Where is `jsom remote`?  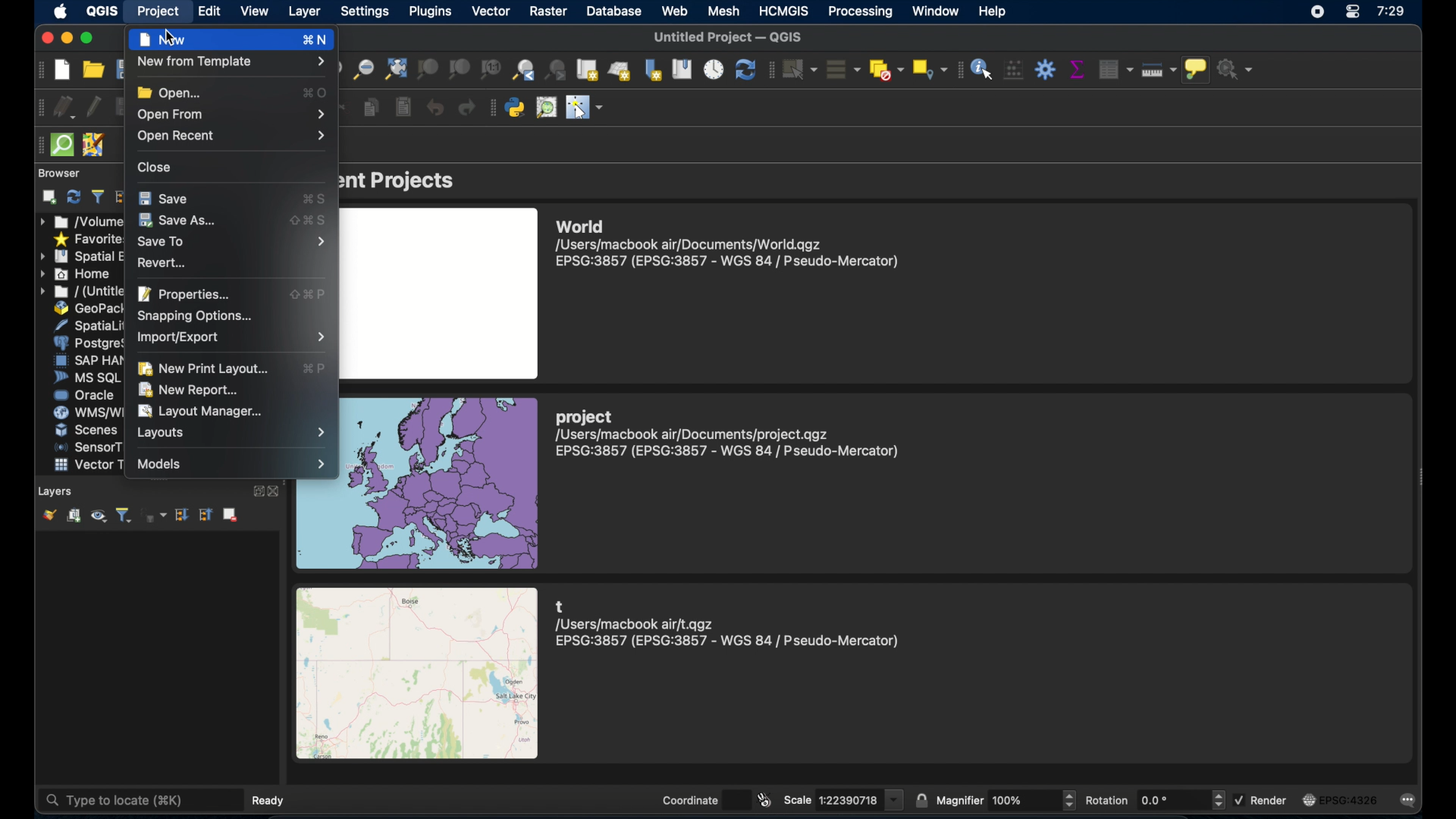 jsom remote is located at coordinates (93, 146).